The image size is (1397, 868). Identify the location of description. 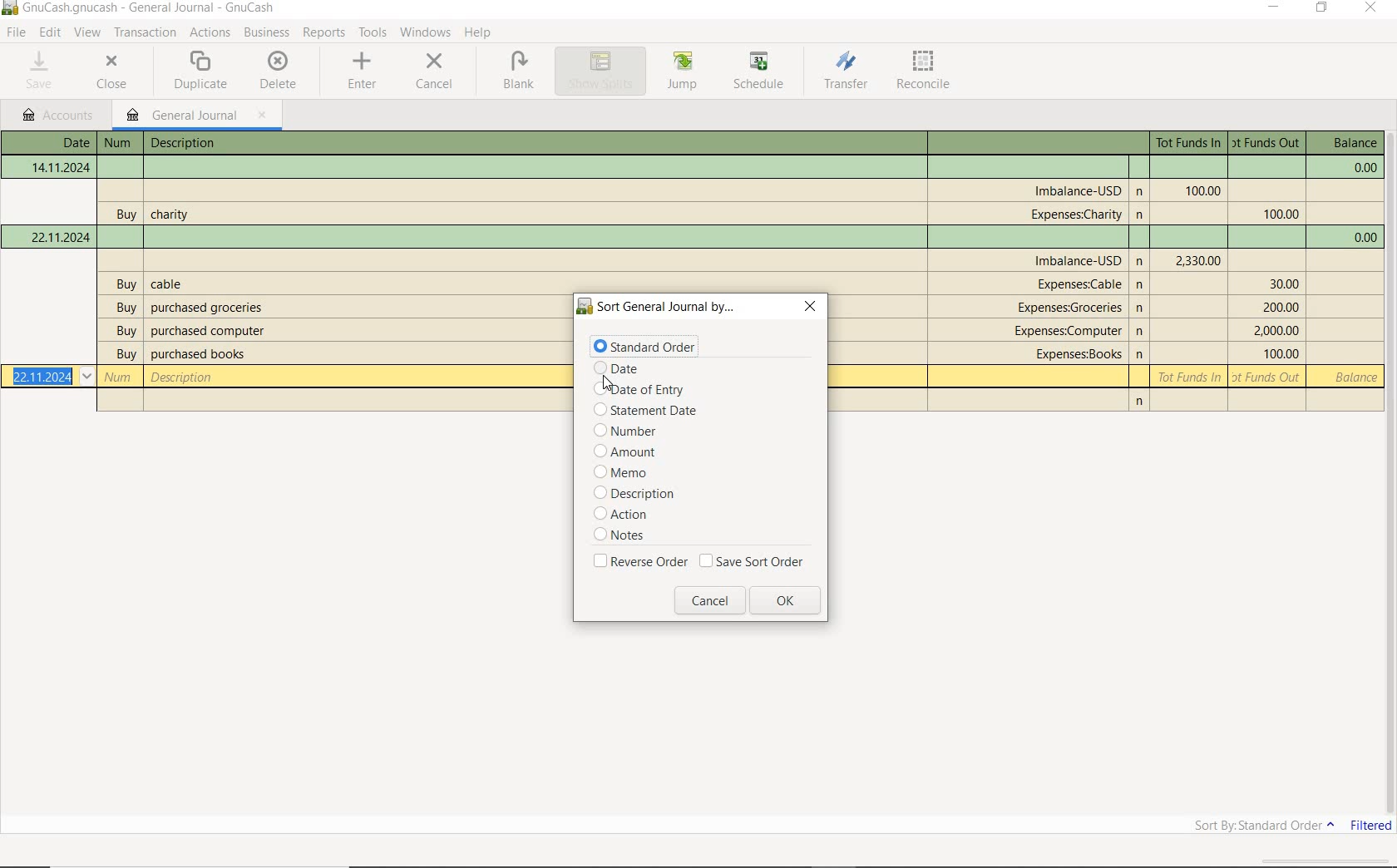
(198, 355).